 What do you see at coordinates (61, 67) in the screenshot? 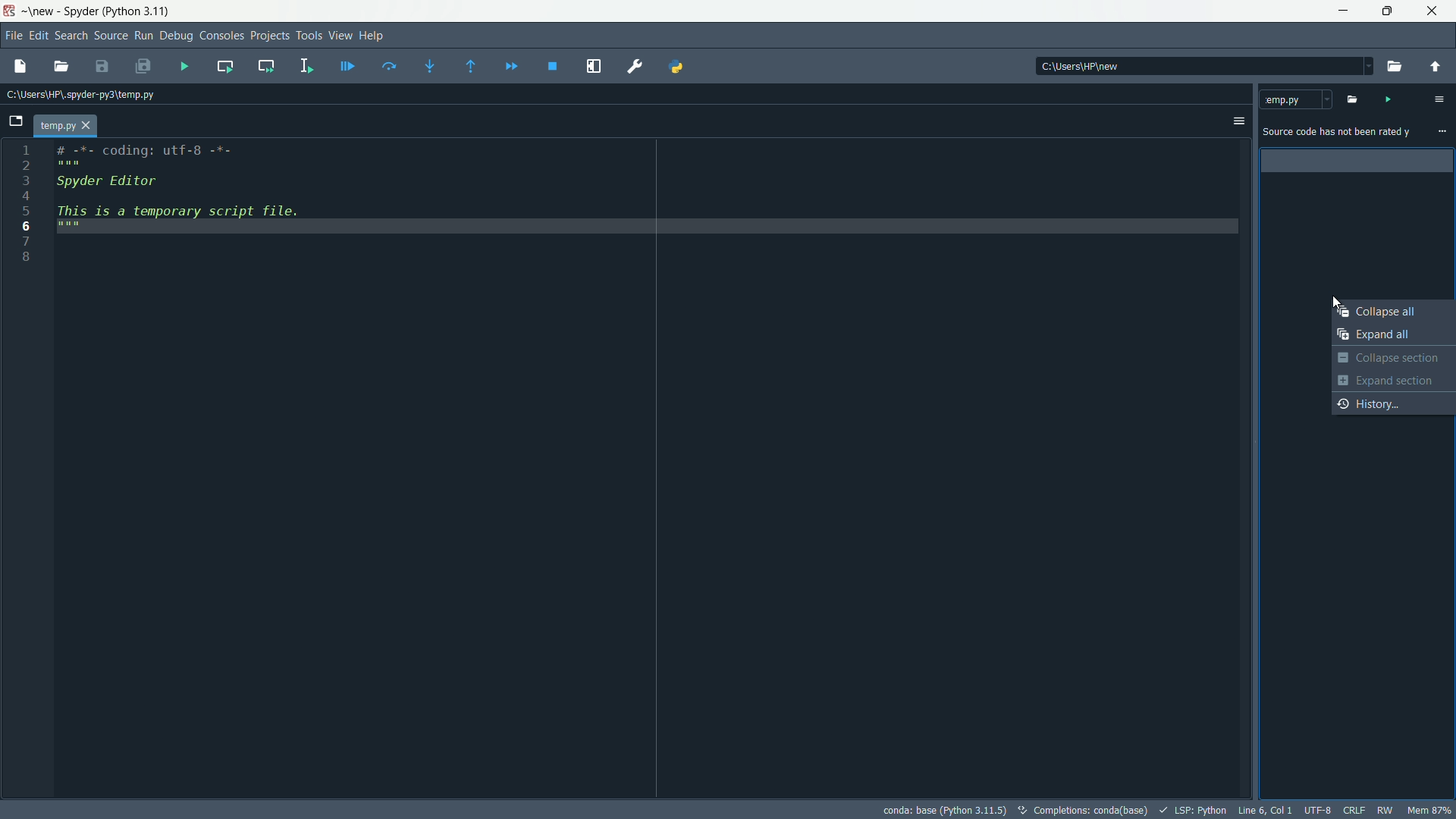
I see `open file` at bounding box center [61, 67].